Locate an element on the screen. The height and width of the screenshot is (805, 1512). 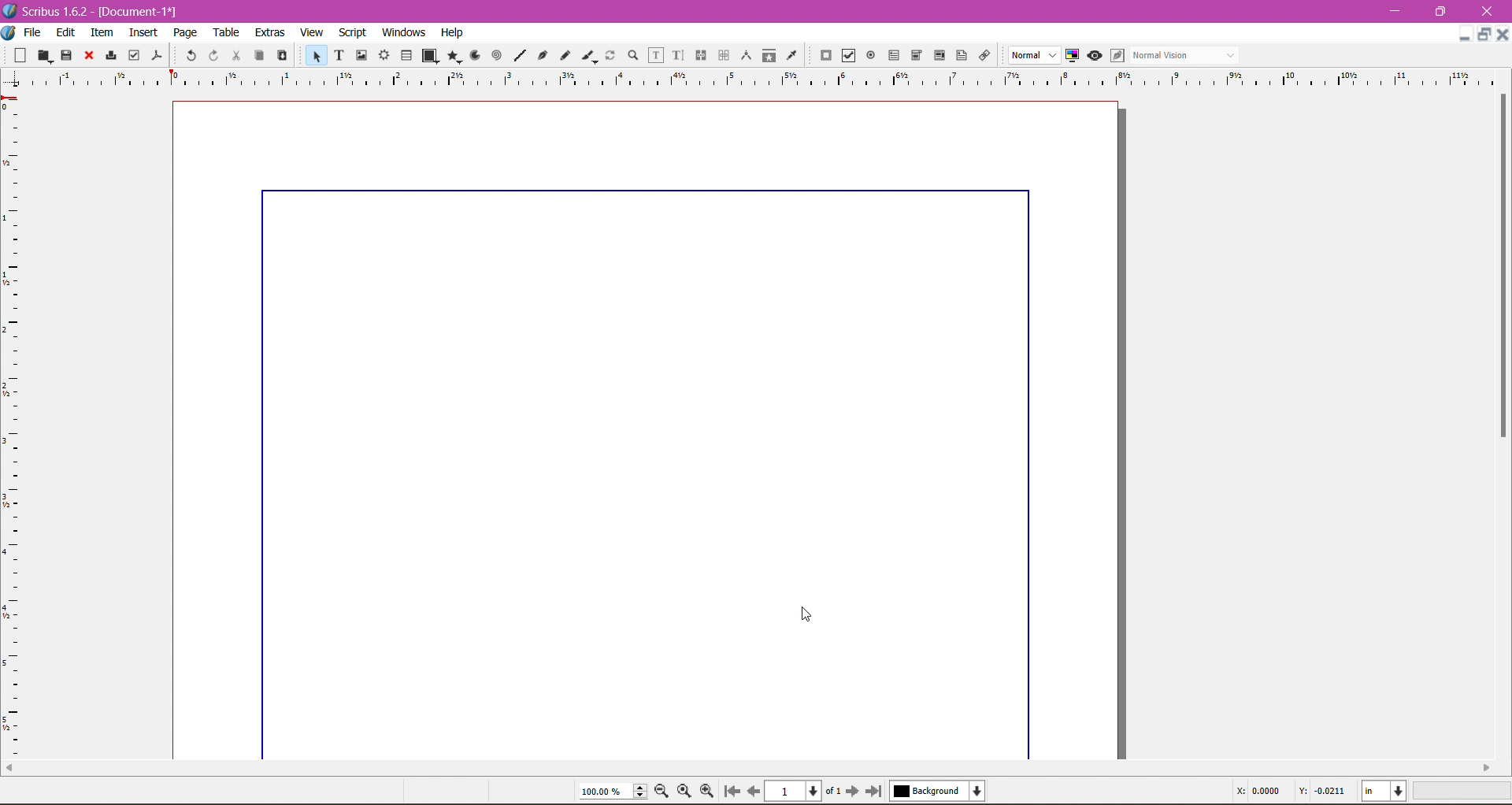
Zoom to 100% is located at coordinates (684, 790).